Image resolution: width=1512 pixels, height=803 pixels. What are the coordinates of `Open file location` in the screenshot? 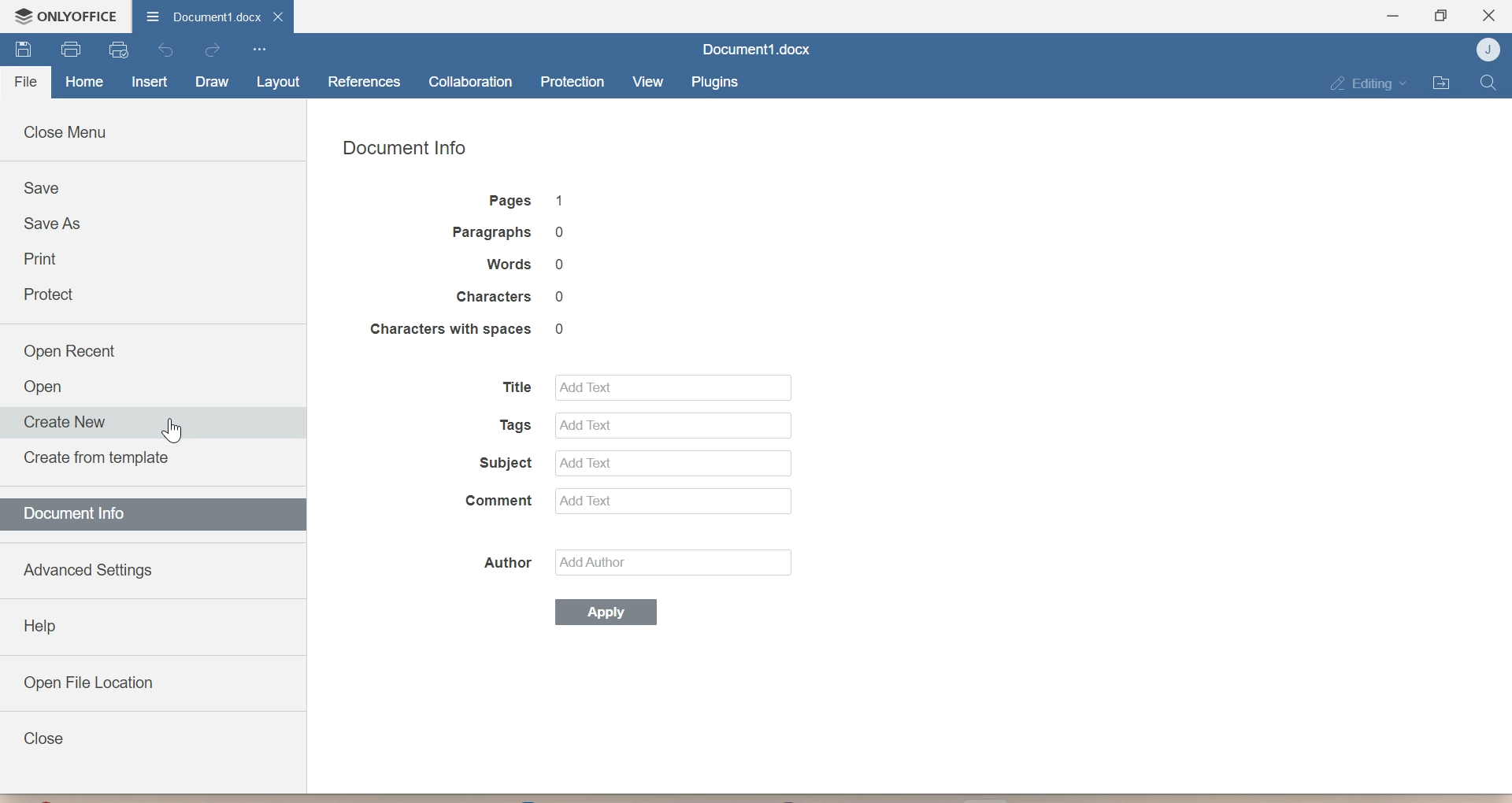 It's located at (90, 679).